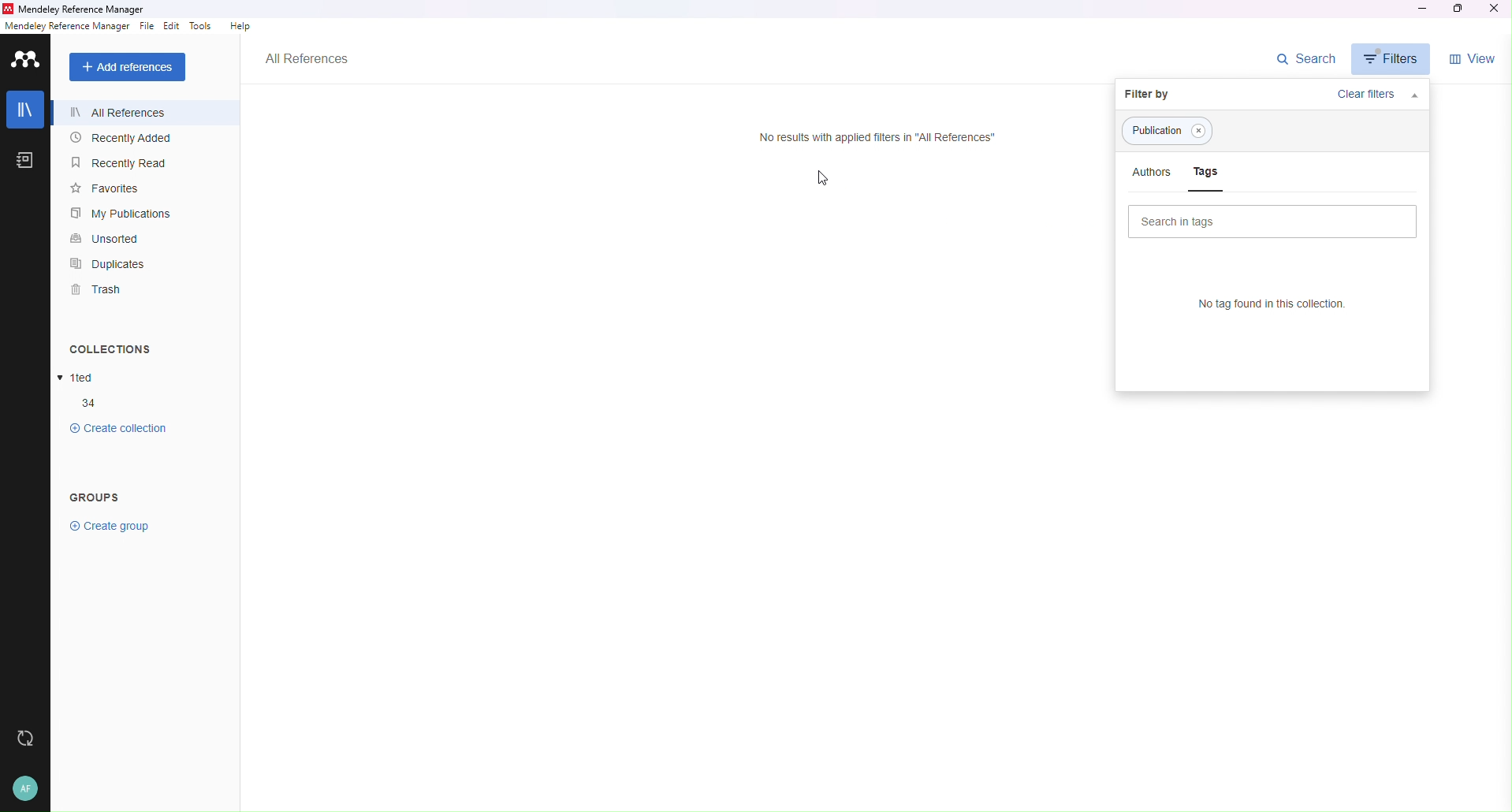 Image resolution: width=1512 pixels, height=812 pixels. Describe the element at coordinates (1498, 10) in the screenshot. I see `Close` at that location.